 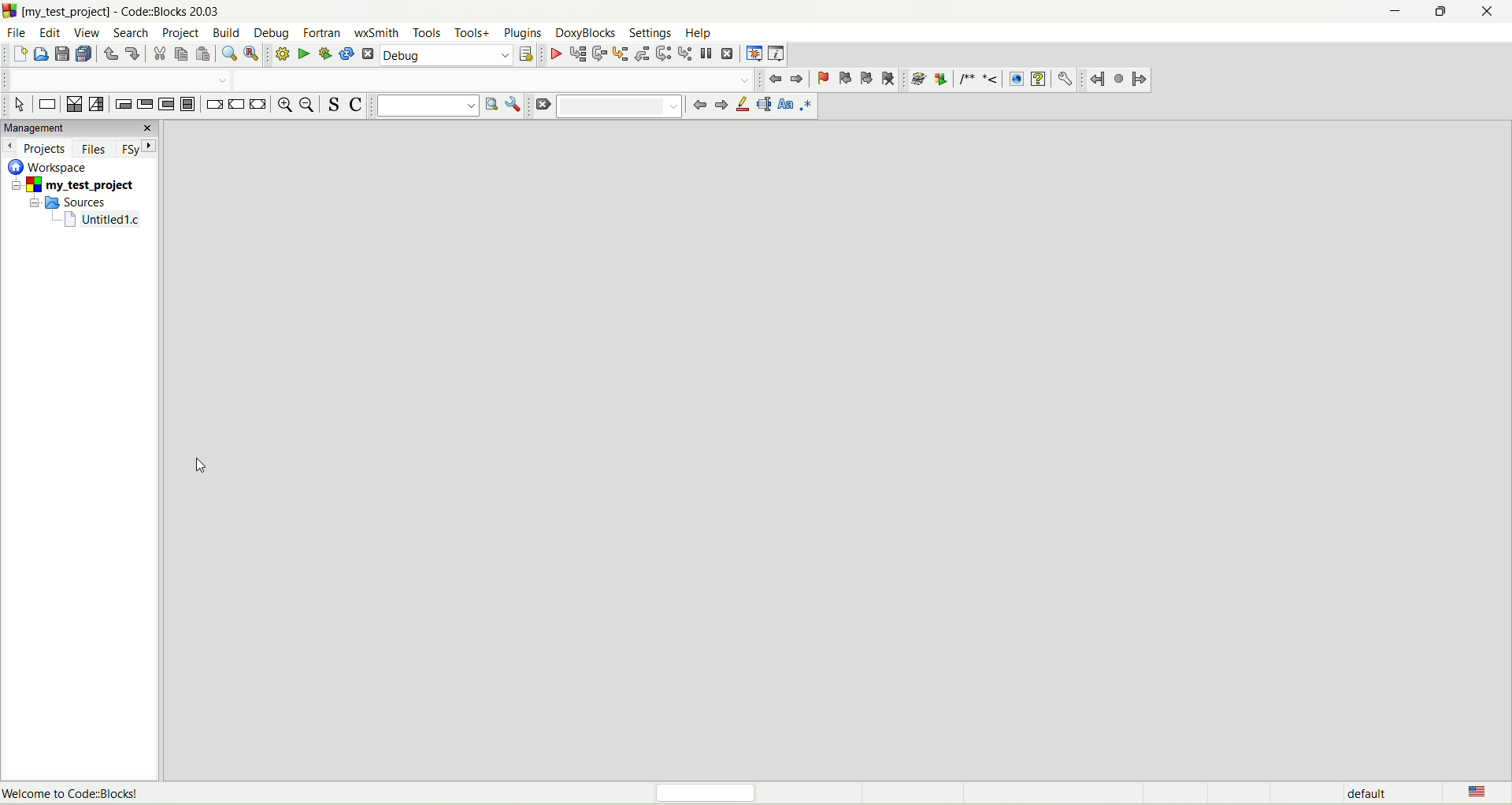 What do you see at coordinates (69, 204) in the screenshot?
I see `sources` at bounding box center [69, 204].